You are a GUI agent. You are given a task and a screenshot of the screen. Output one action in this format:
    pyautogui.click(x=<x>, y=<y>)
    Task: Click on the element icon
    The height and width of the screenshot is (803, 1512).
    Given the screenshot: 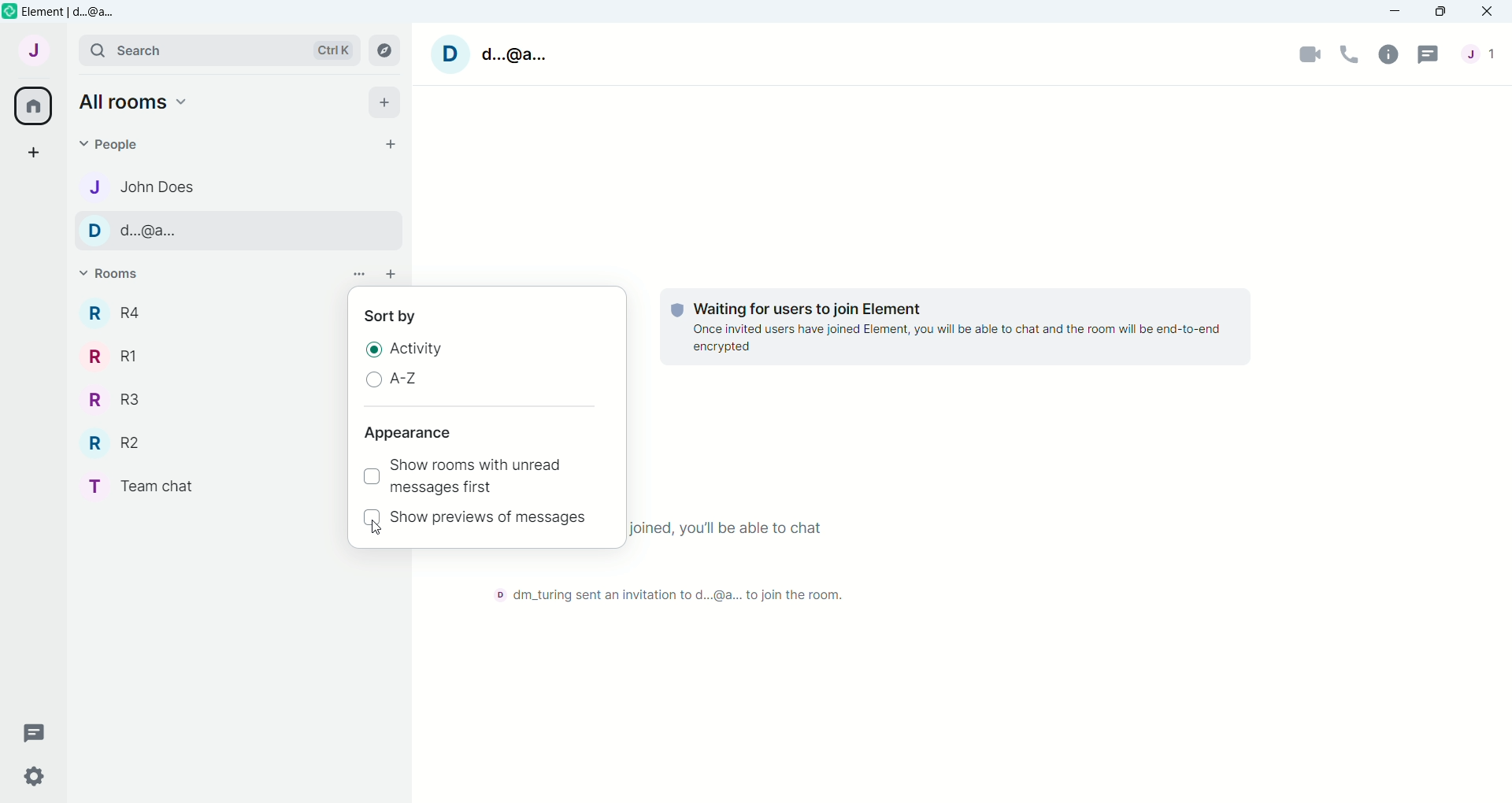 What is the action you would take?
    pyautogui.click(x=9, y=11)
    